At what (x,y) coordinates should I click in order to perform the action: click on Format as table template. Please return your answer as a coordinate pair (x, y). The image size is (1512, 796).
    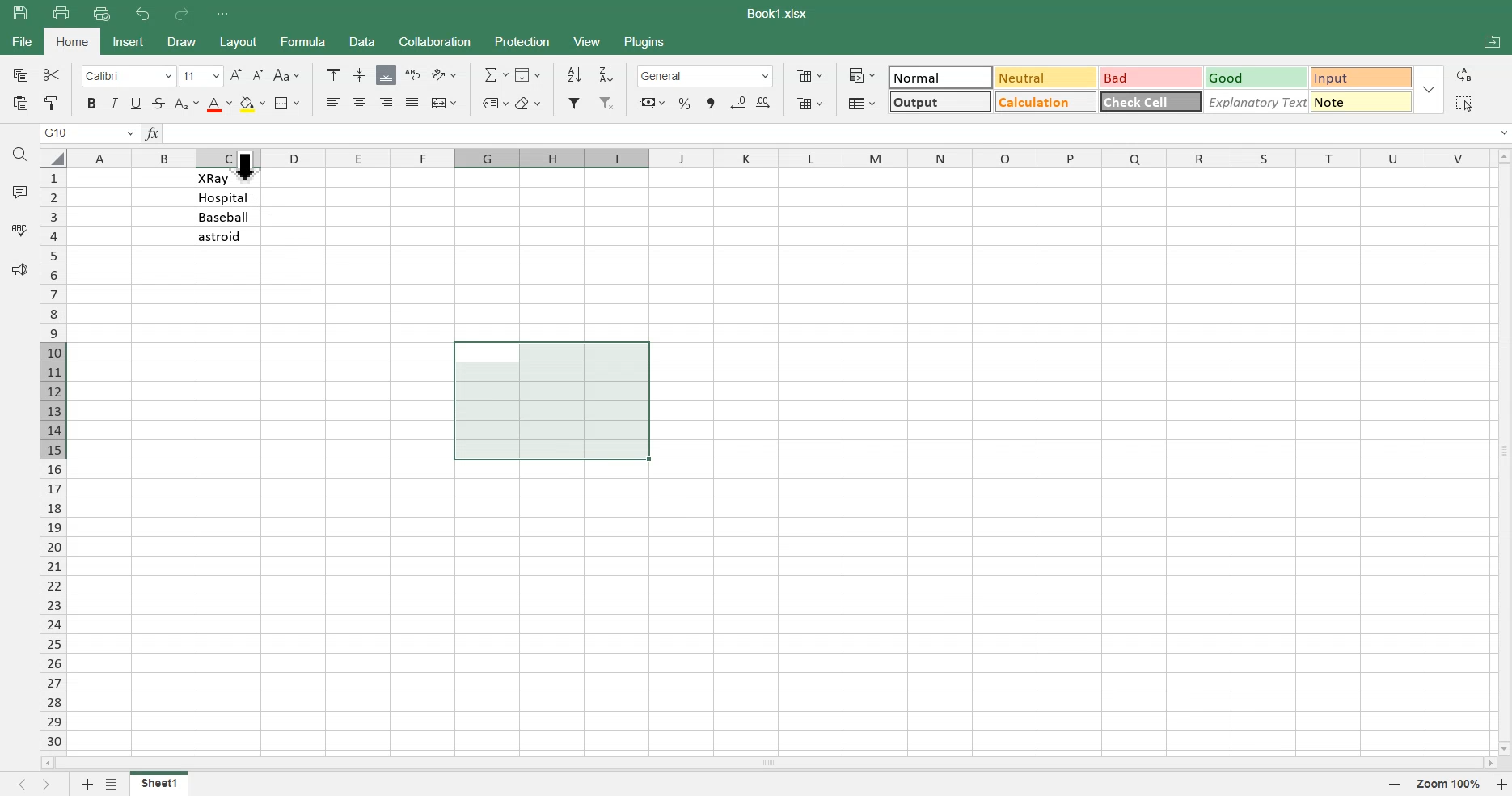
    Looking at the image, I should click on (860, 104).